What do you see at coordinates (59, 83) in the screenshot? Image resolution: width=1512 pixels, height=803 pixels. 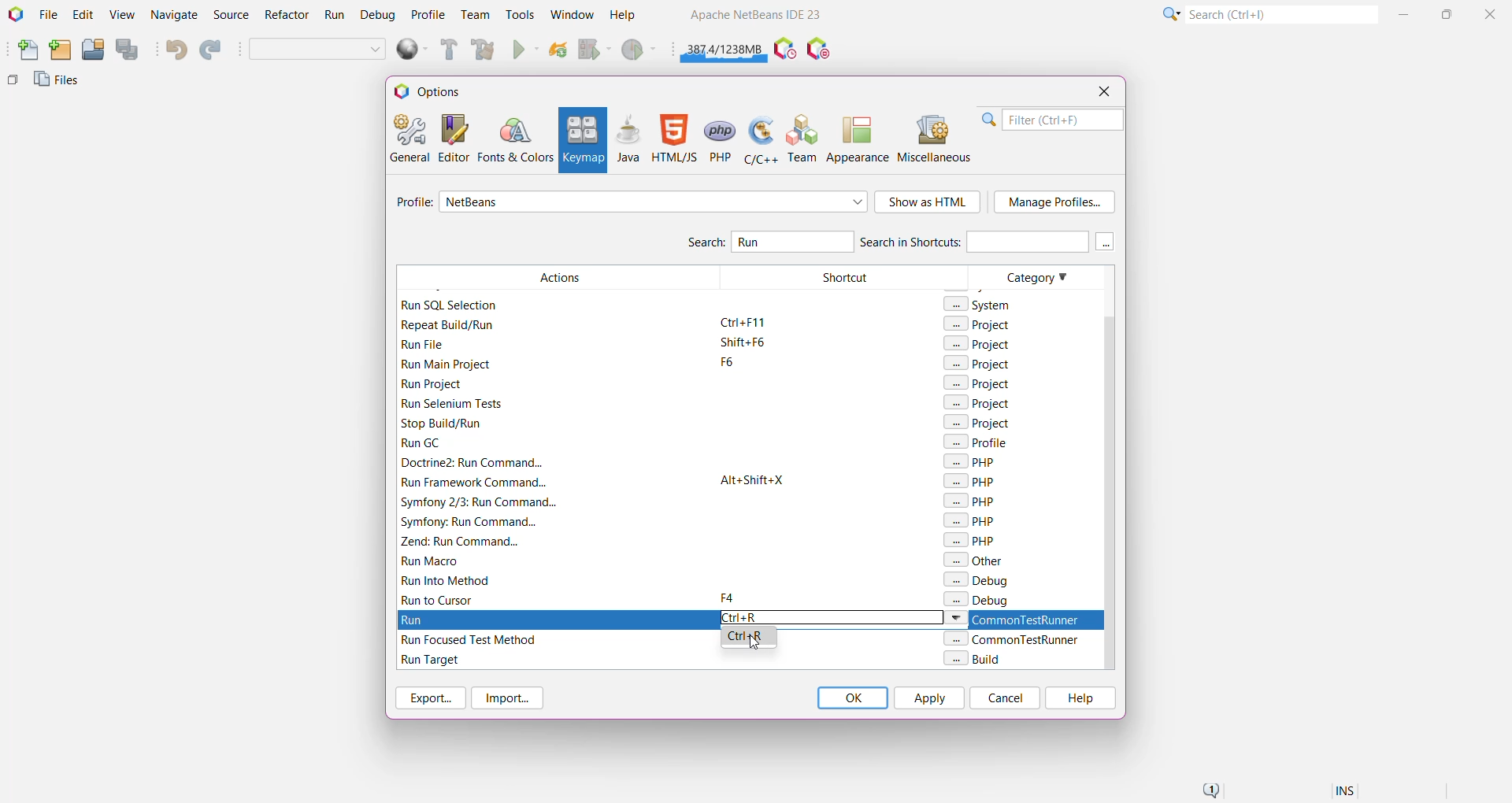 I see `Files` at bounding box center [59, 83].